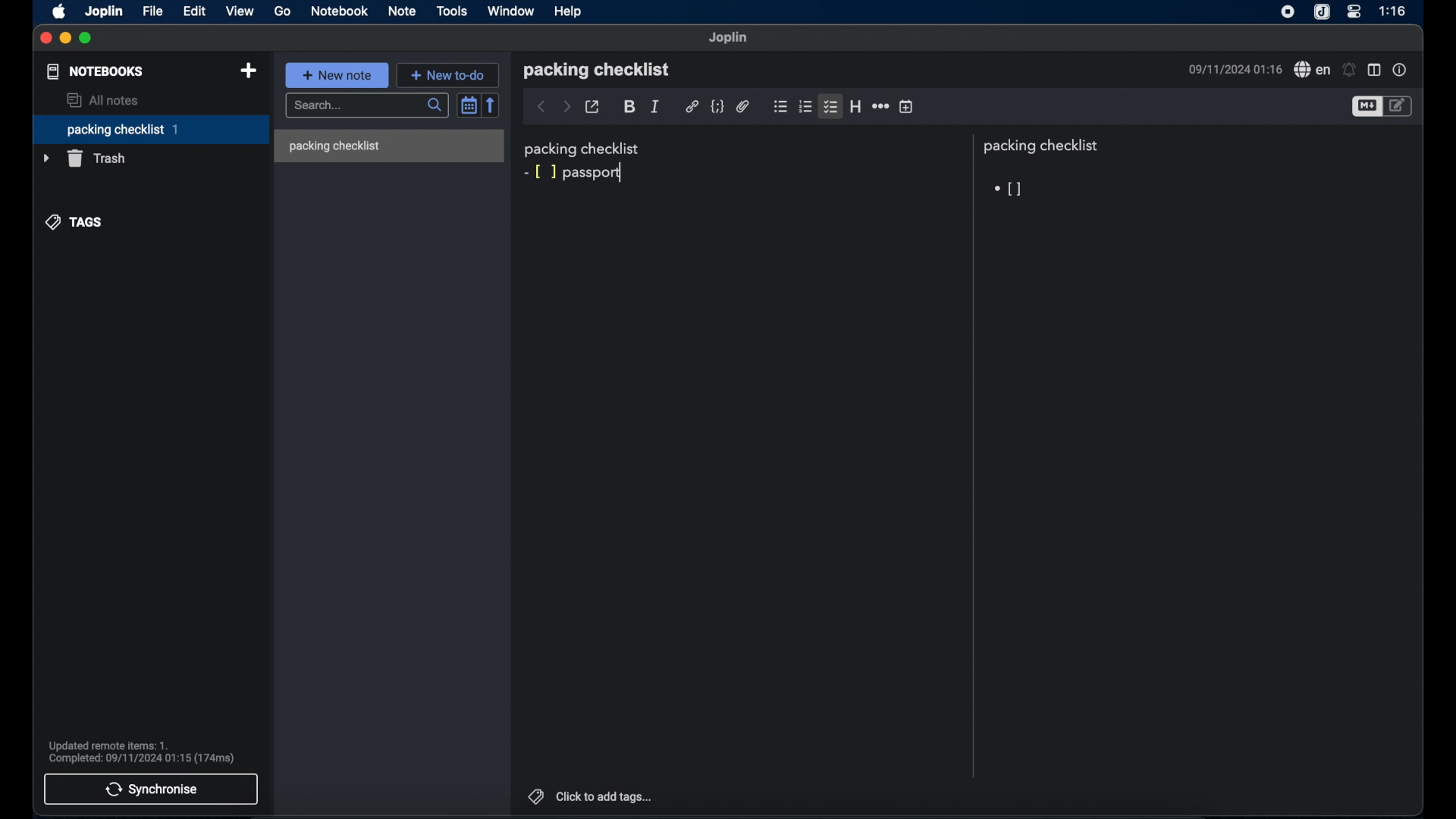 This screenshot has height=819, width=1456. Describe the element at coordinates (86, 158) in the screenshot. I see `trash` at that location.